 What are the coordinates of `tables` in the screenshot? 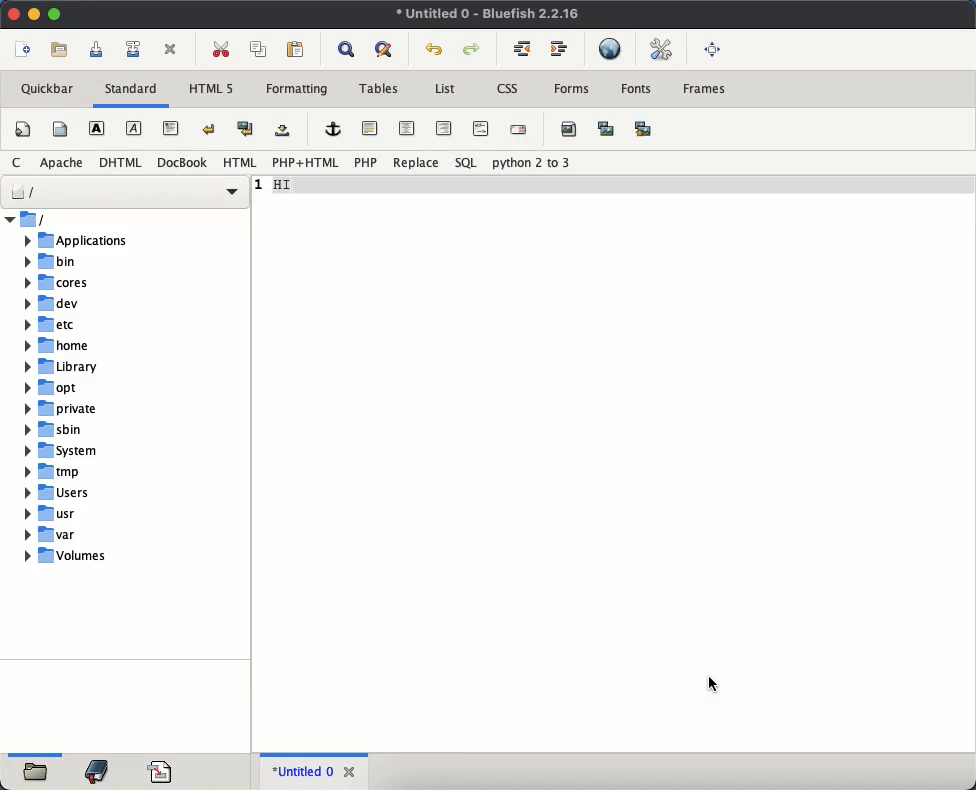 It's located at (378, 89).